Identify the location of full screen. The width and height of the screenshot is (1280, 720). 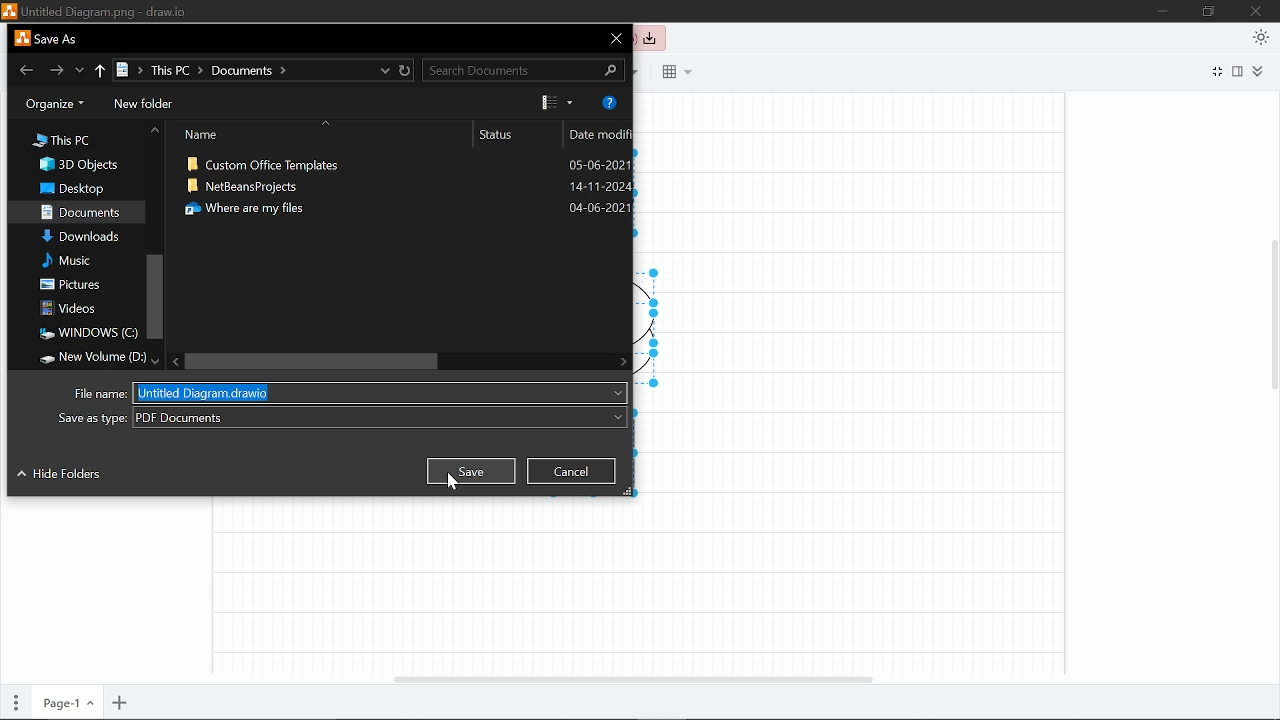
(1218, 70).